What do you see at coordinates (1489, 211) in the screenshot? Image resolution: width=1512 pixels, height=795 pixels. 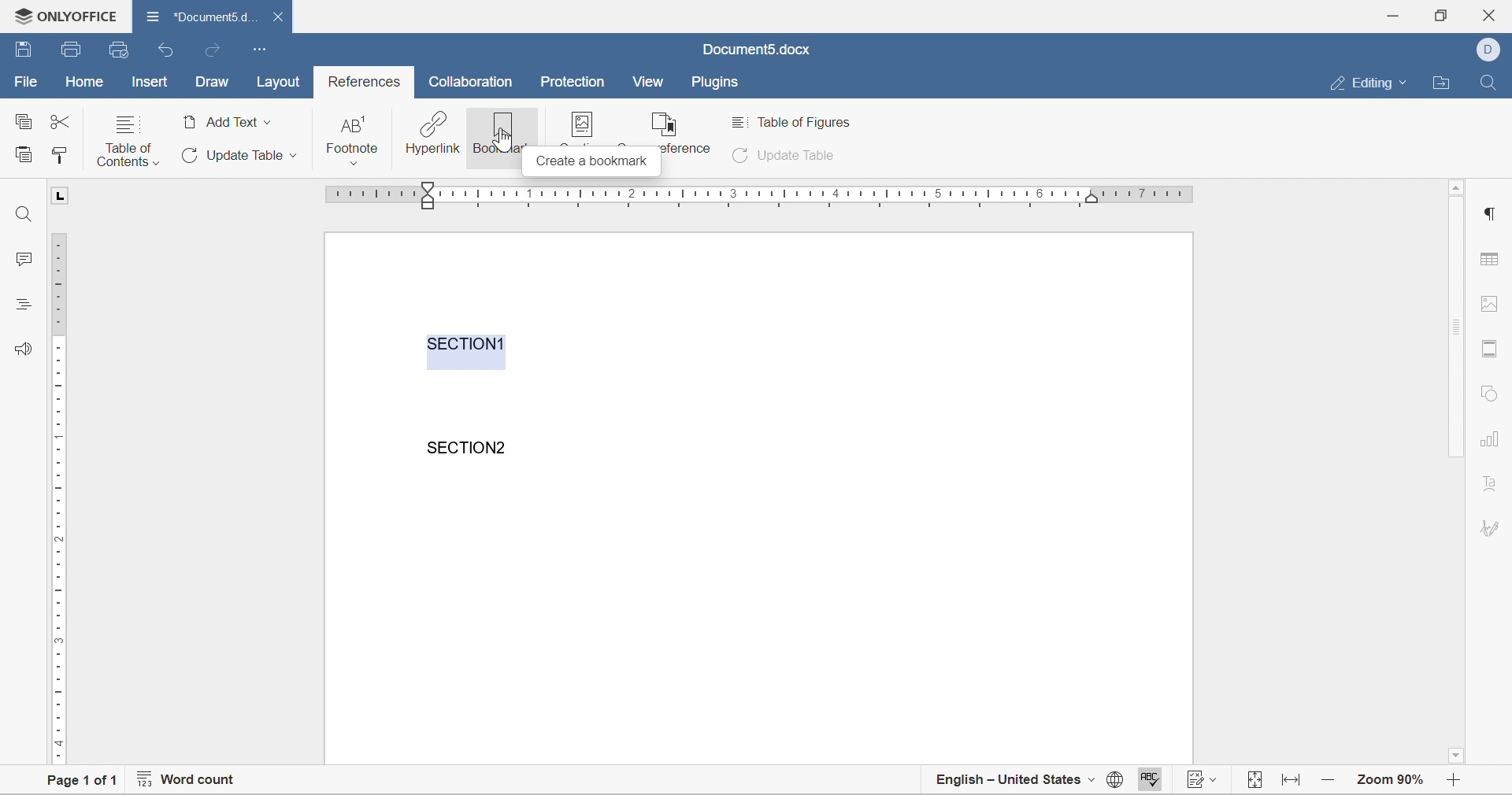 I see `` at bounding box center [1489, 211].